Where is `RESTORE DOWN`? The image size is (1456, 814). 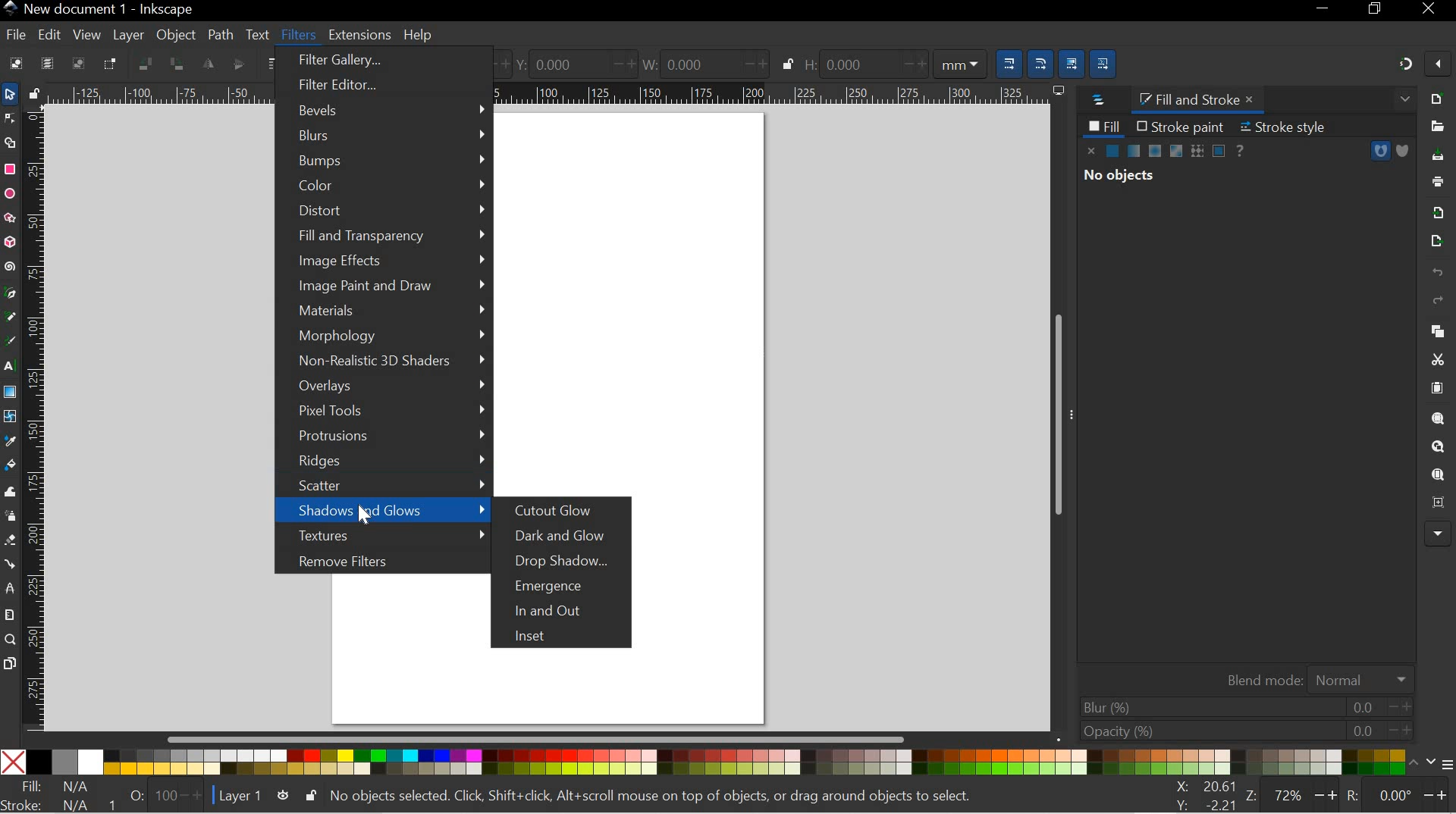
RESTORE DOWN is located at coordinates (1377, 11).